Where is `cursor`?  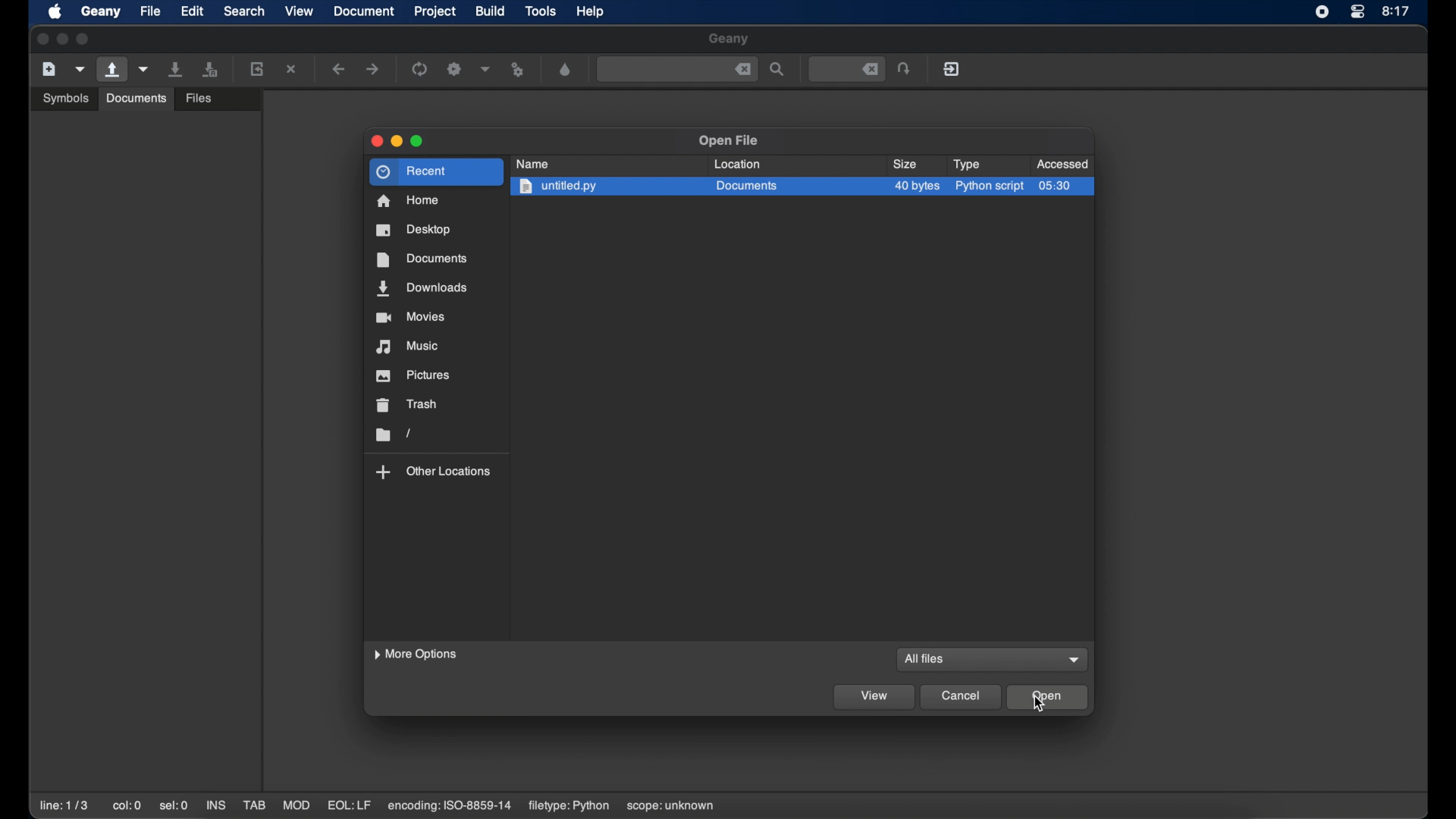
cursor is located at coordinates (1040, 705).